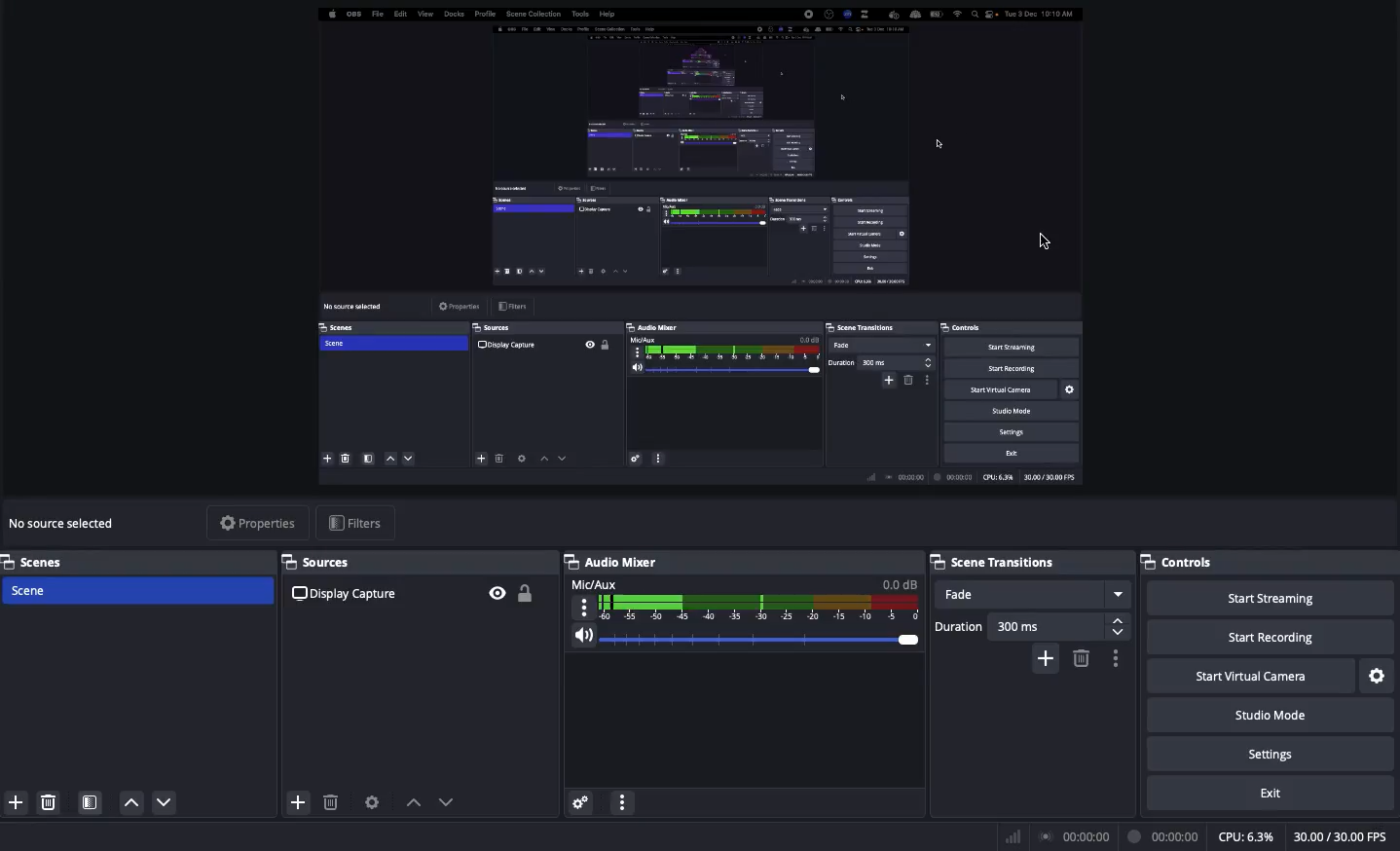 The height and width of the screenshot is (851, 1400). What do you see at coordinates (297, 804) in the screenshot?
I see `Add` at bounding box center [297, 804].